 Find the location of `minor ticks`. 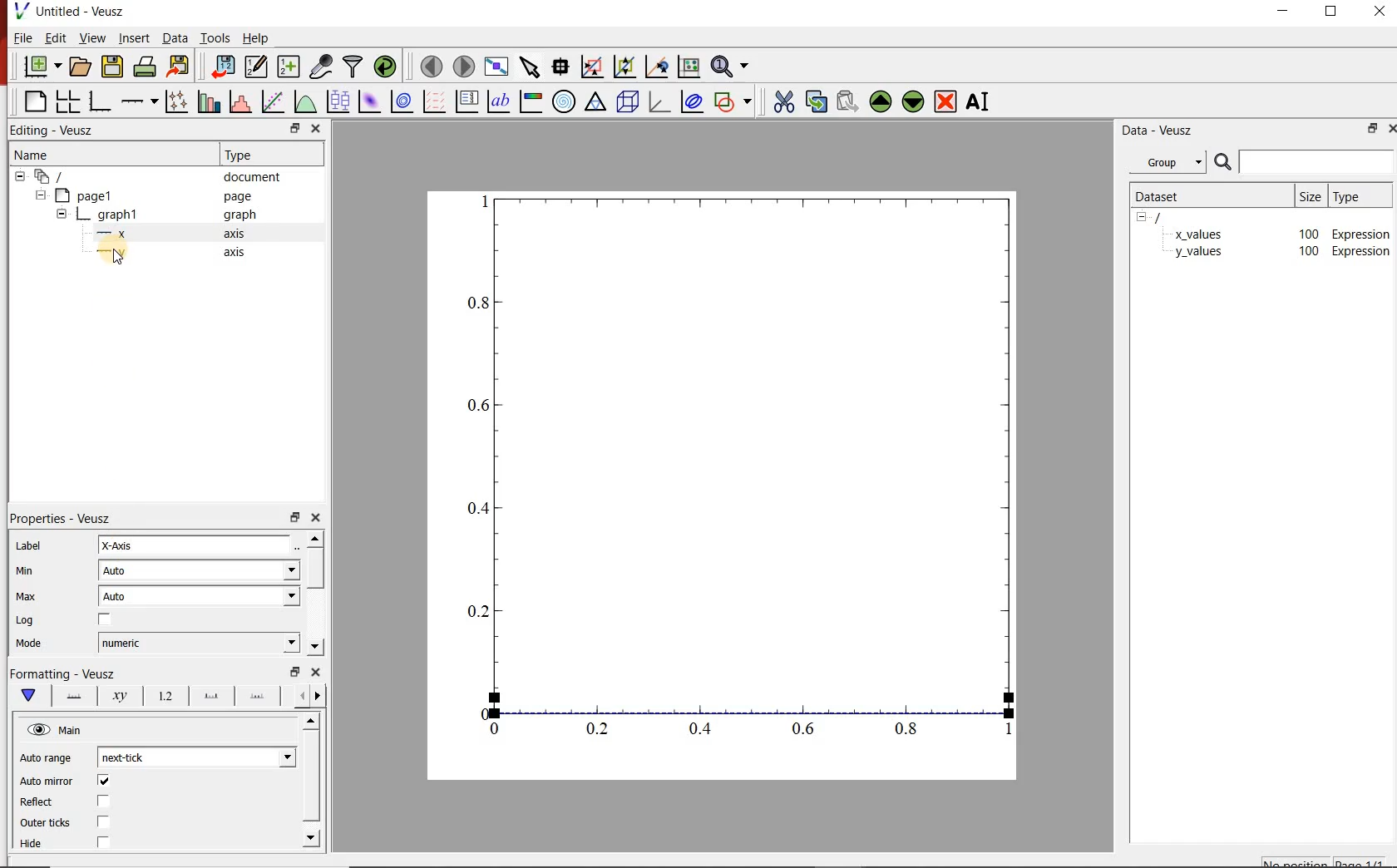

minor ticks is located at coordinates (259, 696).